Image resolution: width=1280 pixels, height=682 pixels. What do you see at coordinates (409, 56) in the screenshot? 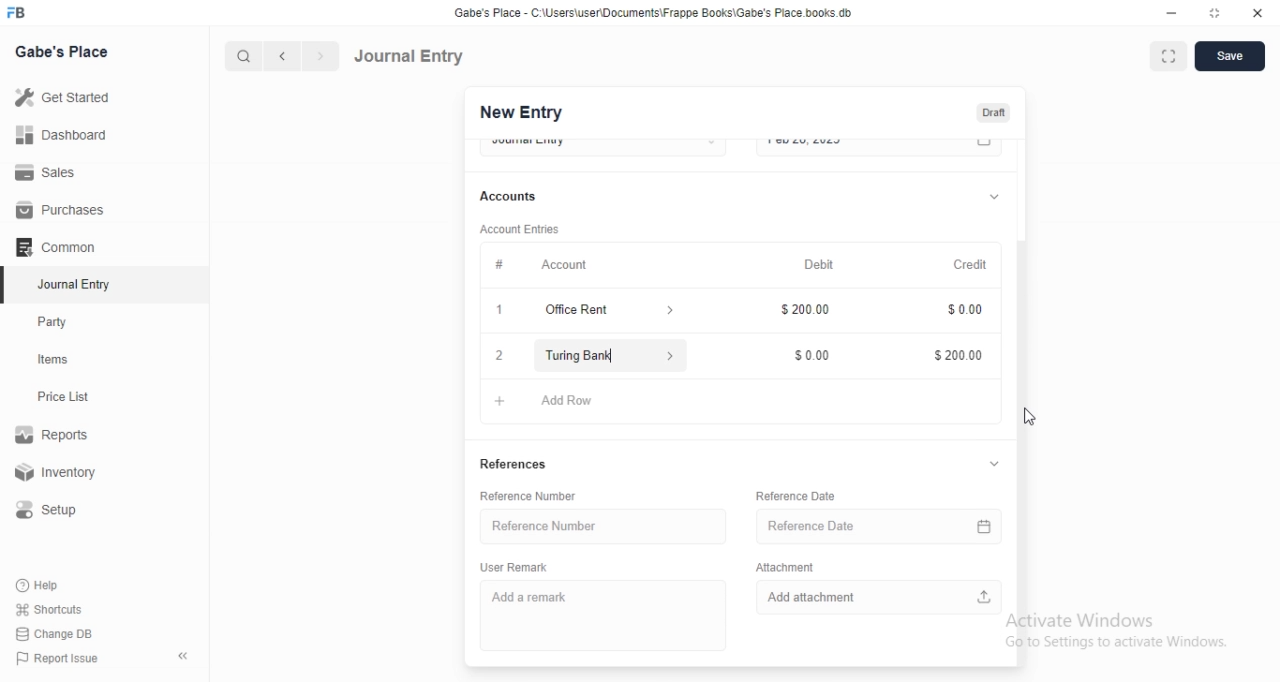
I see `Journal Entry` at bounding box center [409, 56].